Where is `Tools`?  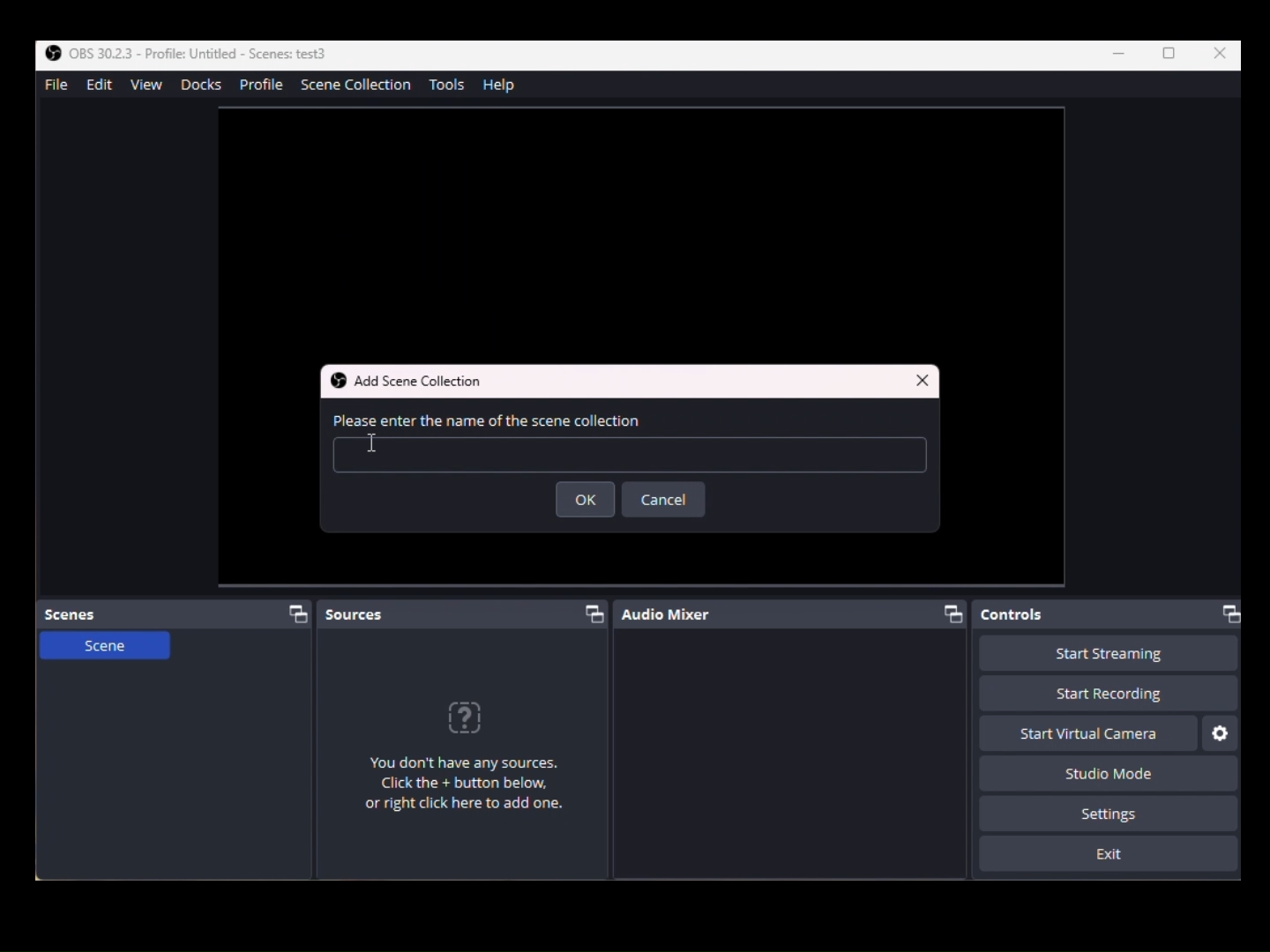 Tools is located at coordinates (451, 85).